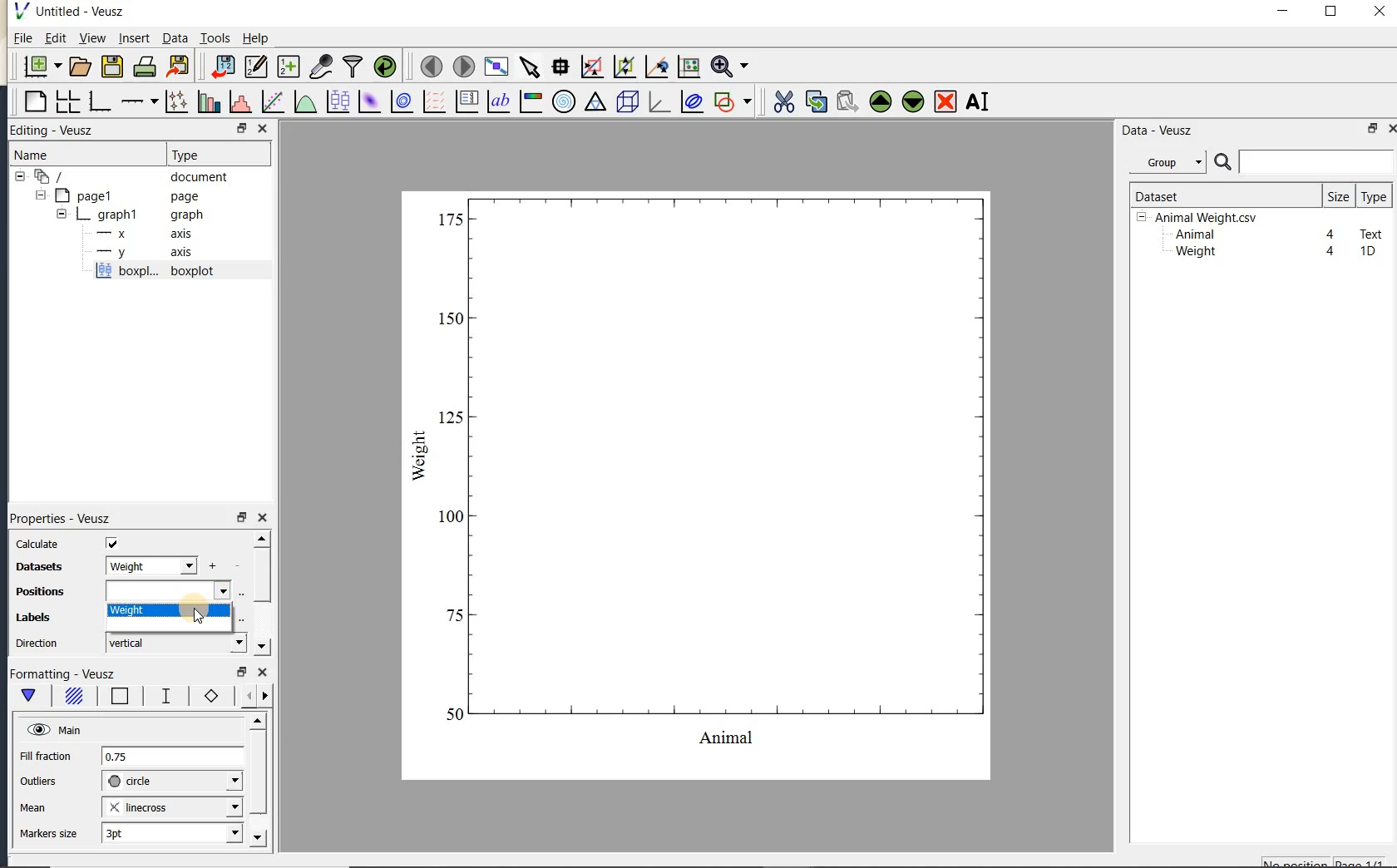 This screenshot has height=868, width=1397. Describe the element at coordinates (179, 65) in the screenshot. I see `export to graphics format` at that location.